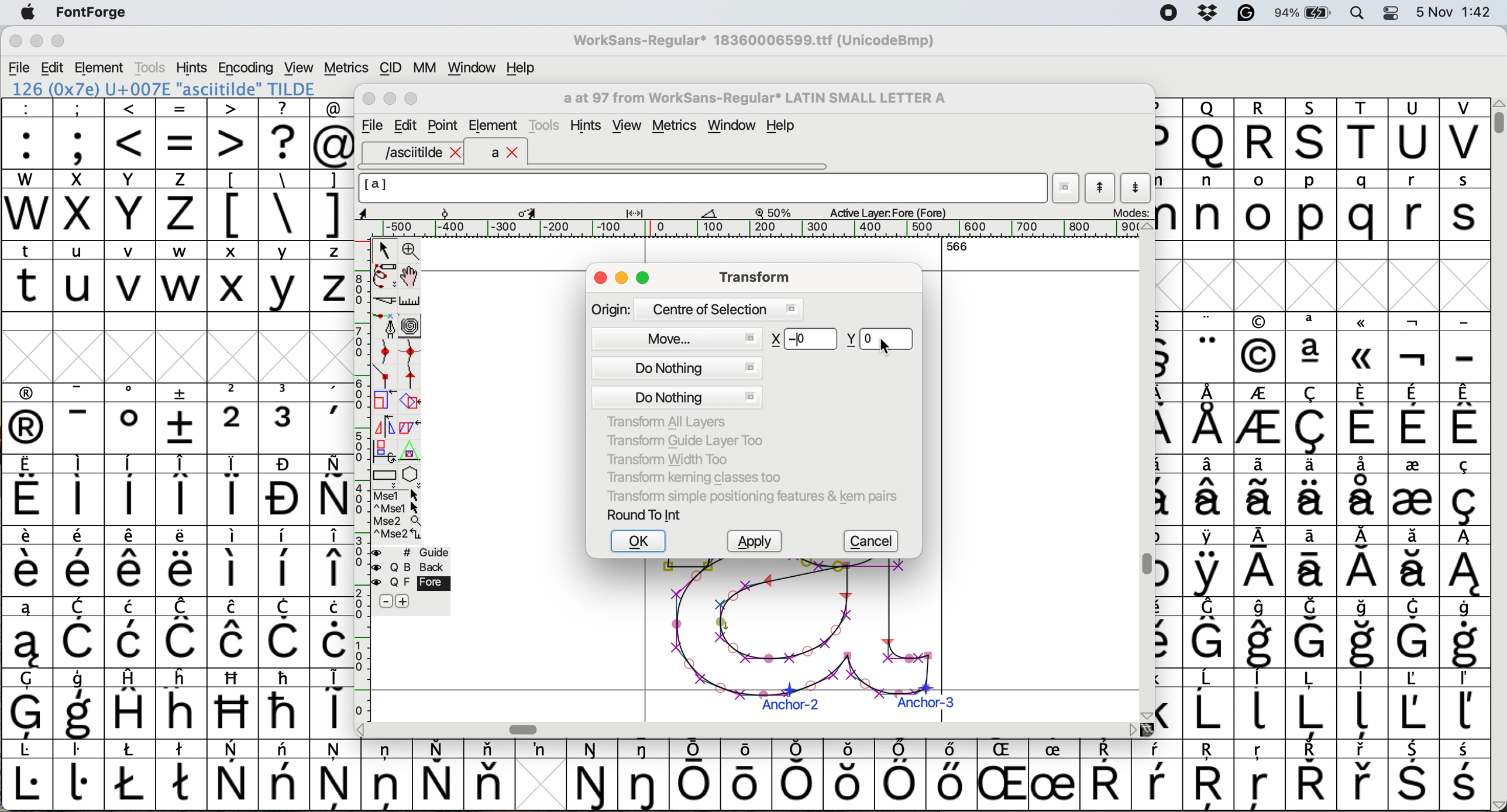 The image size is (1507, 812). I want to click on symbol, so click(1365, 705).